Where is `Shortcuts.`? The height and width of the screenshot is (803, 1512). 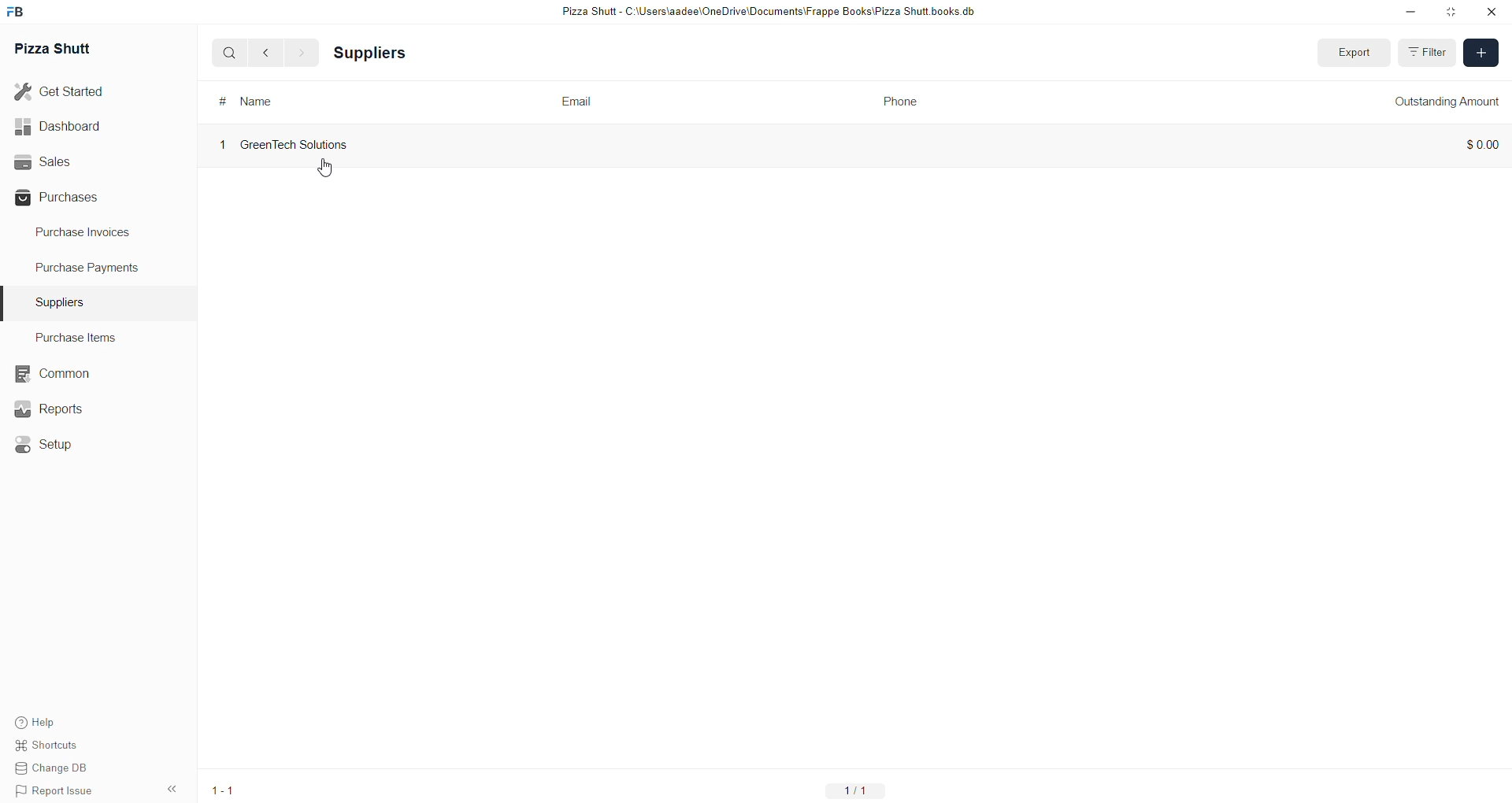 Shortcuts. is located at coordinates (57, 748).